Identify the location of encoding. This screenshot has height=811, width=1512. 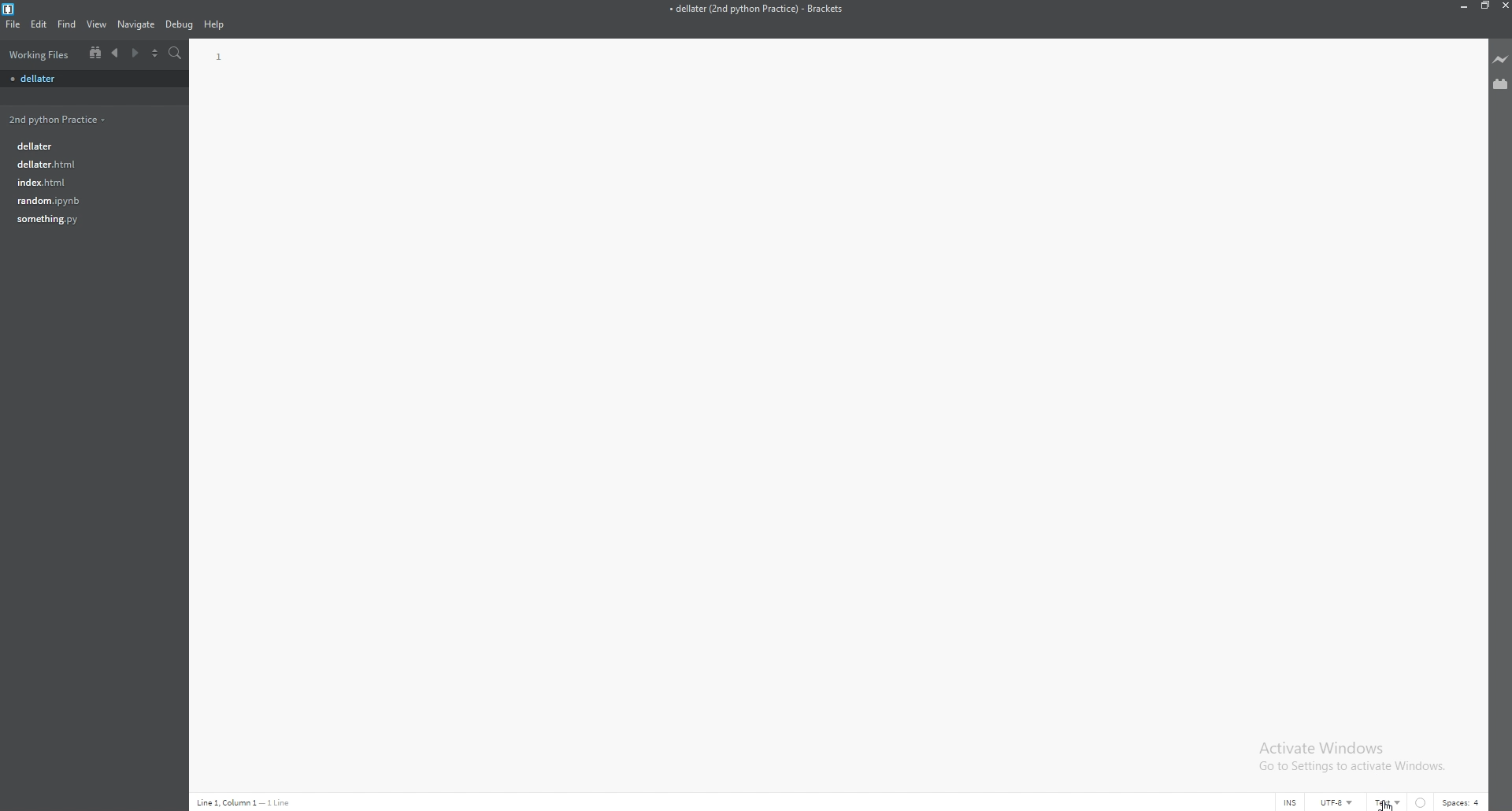
(1338, 802).